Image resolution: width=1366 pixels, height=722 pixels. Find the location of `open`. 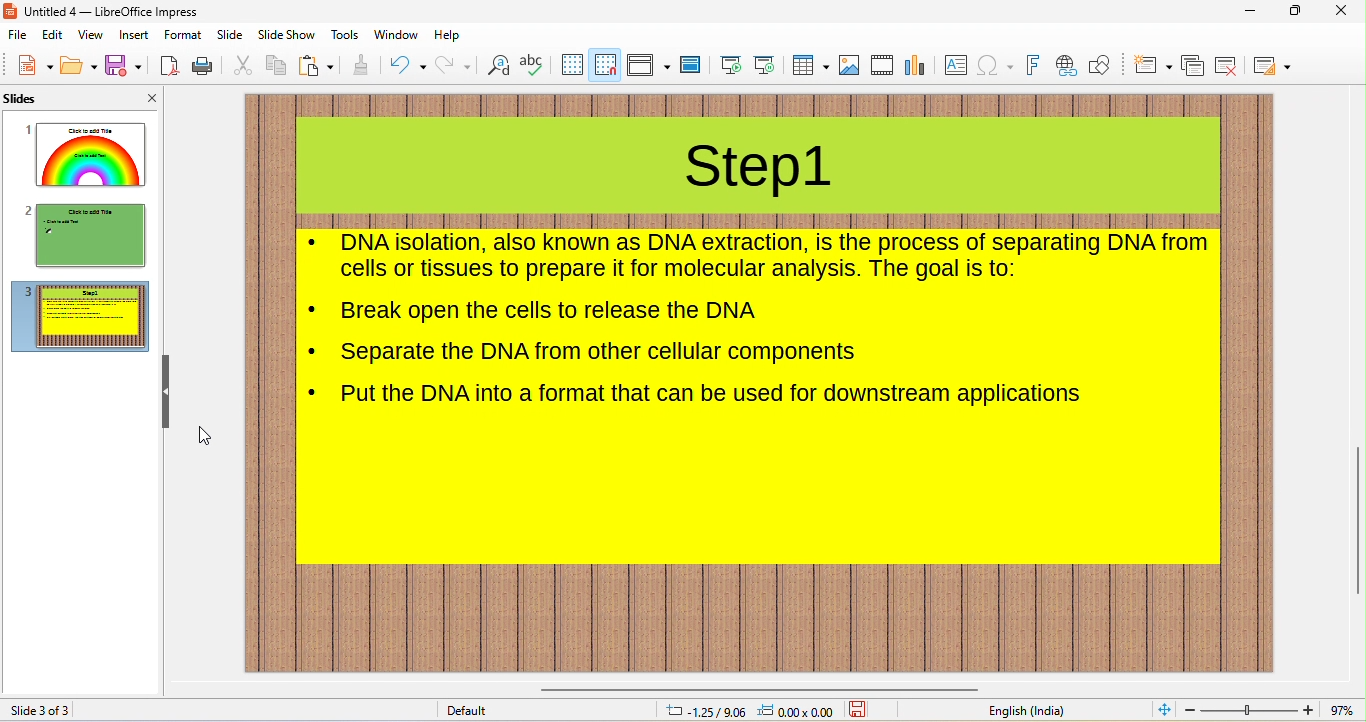

open is located at coordinates (78, 66).